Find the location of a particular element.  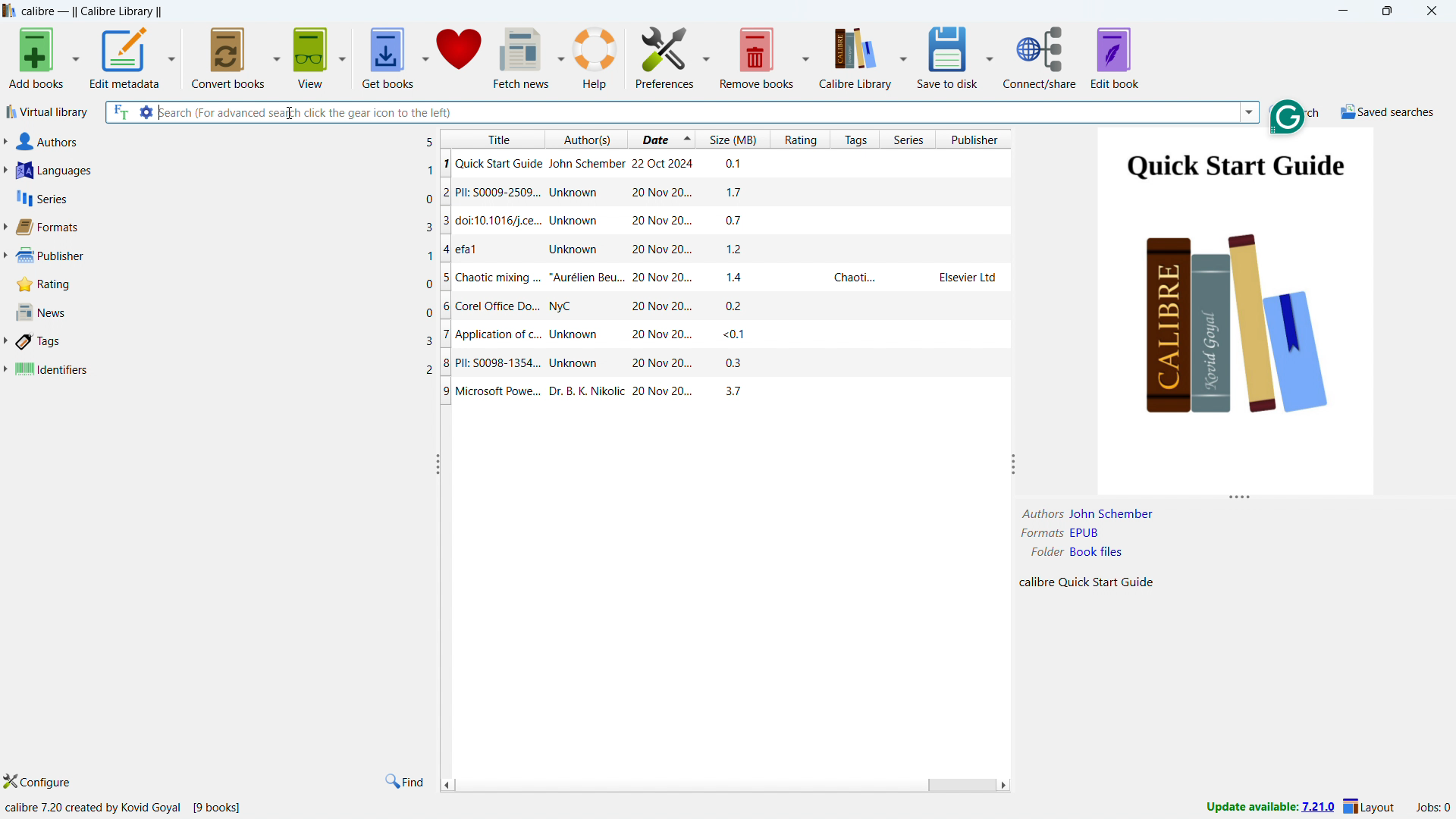

scroll right is located at coordinates (1006, 785).